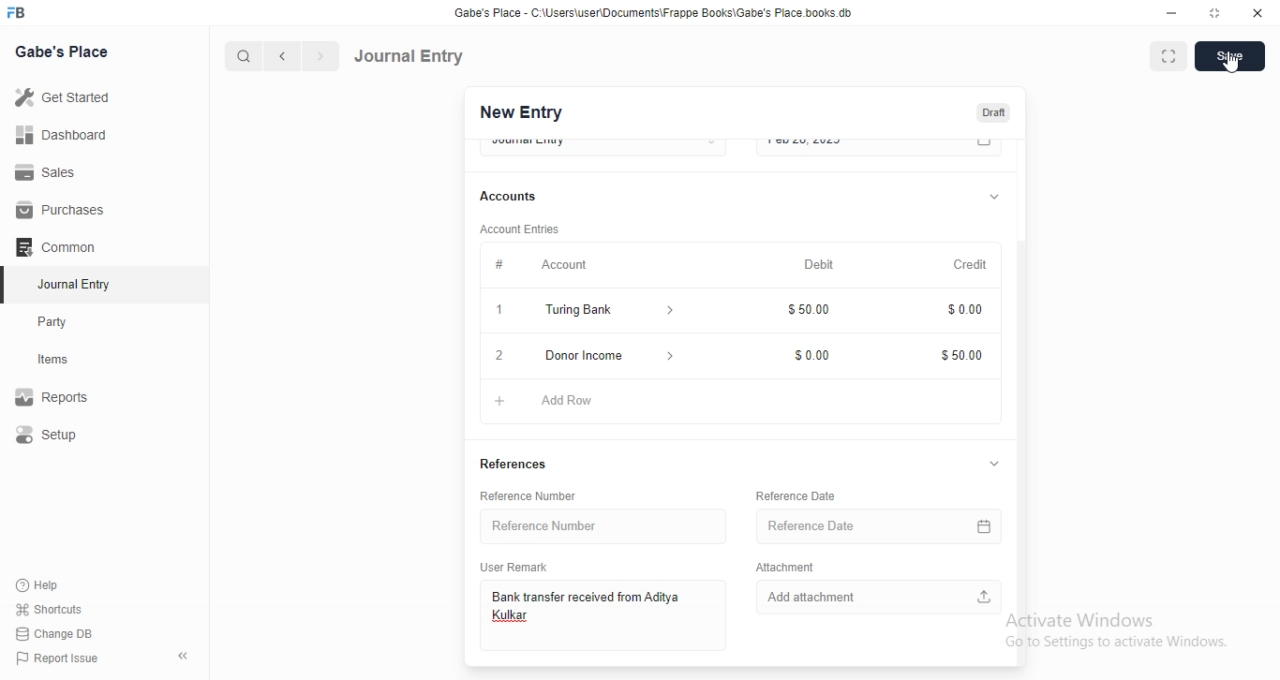  What do you see at coordinates (994, 194) in the screenshot?
I see `collapse` at bounding box center [994, 194].